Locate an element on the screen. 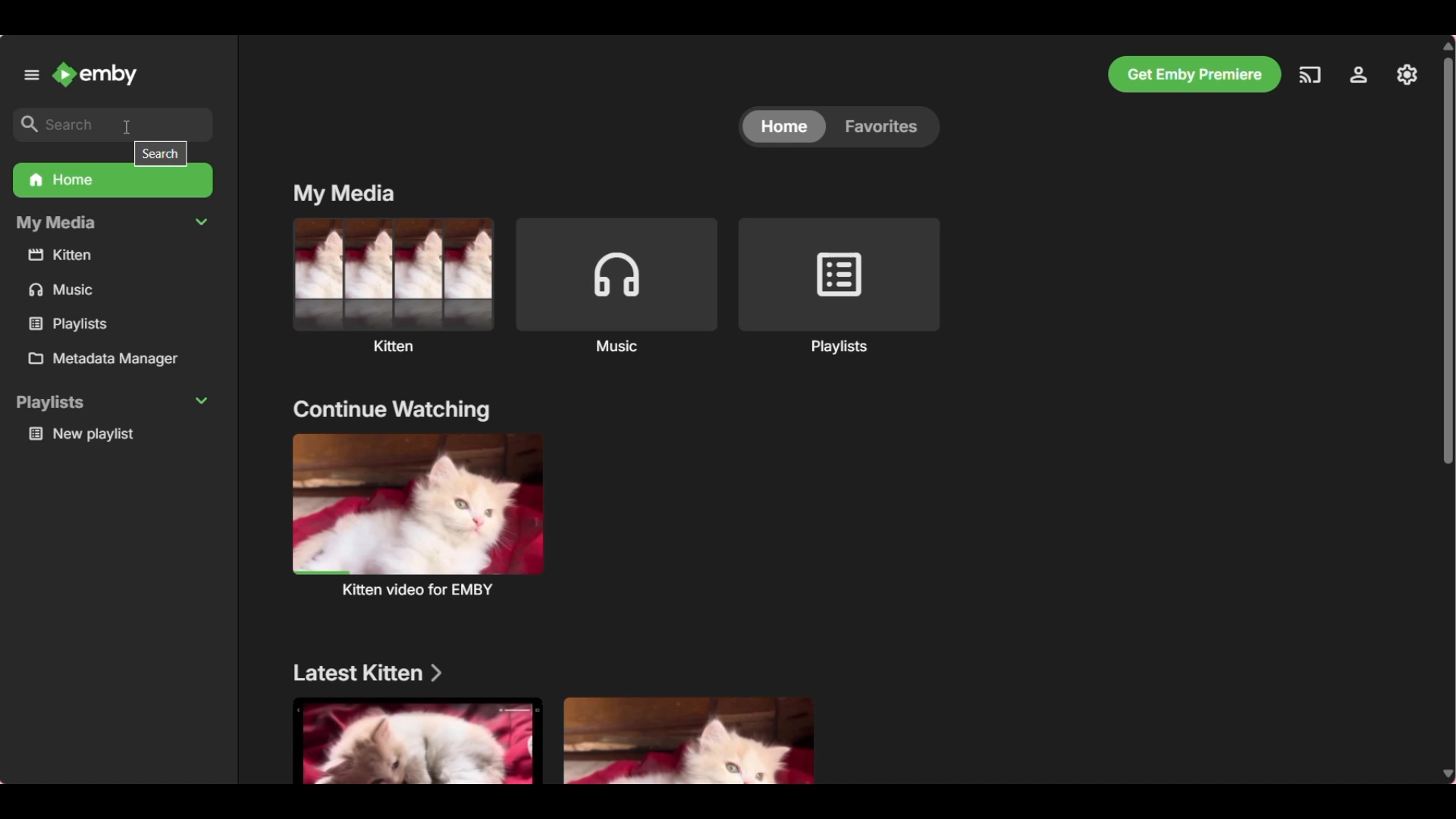  Latest kitten is located at coordinates (371, 673).